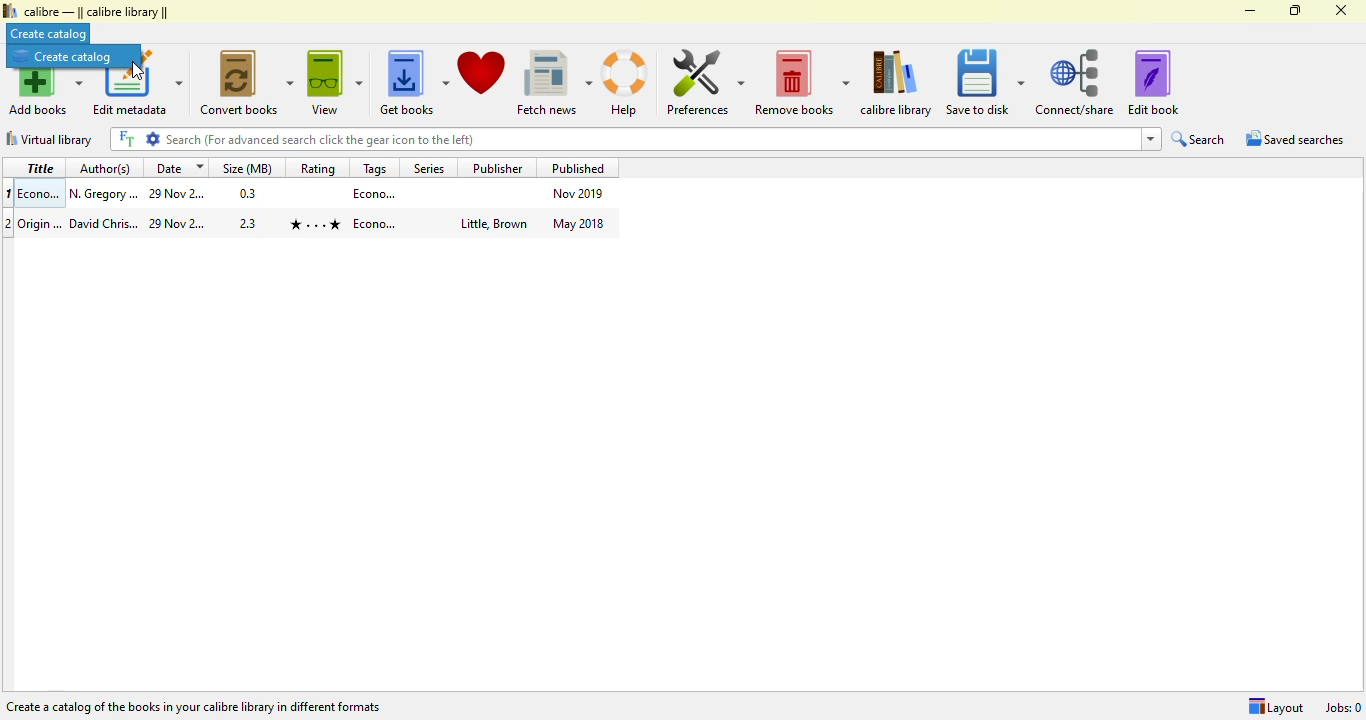 Image resolution: width=1366 pixels, height=720 pixels. What do you see at coordinates (1276, 707) in the screenshot?
I see `layout` at bounding box center [1276, 707].